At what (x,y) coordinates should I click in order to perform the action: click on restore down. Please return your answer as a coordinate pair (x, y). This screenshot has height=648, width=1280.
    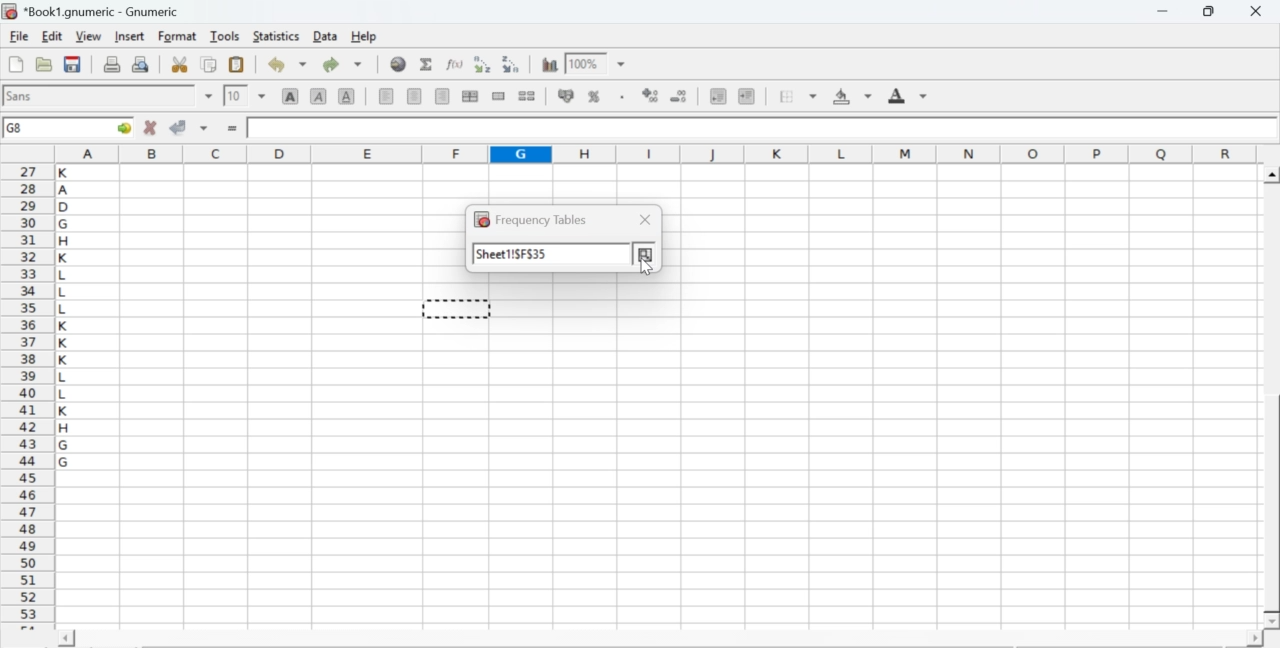
    Looking at the image, I should click on (1210, 12).